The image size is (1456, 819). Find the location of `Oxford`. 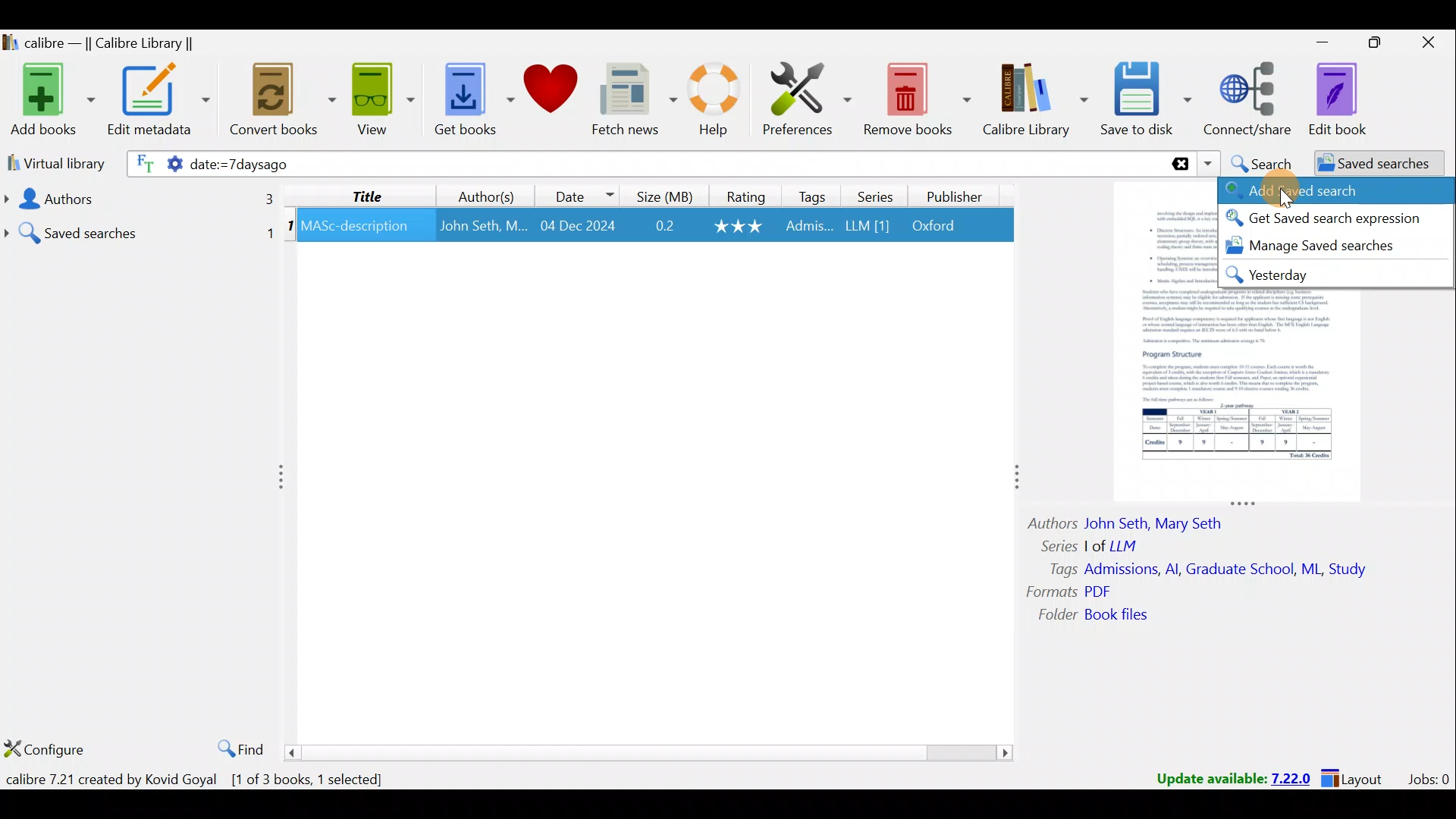

Oxford is located at coordinates (941, 226).